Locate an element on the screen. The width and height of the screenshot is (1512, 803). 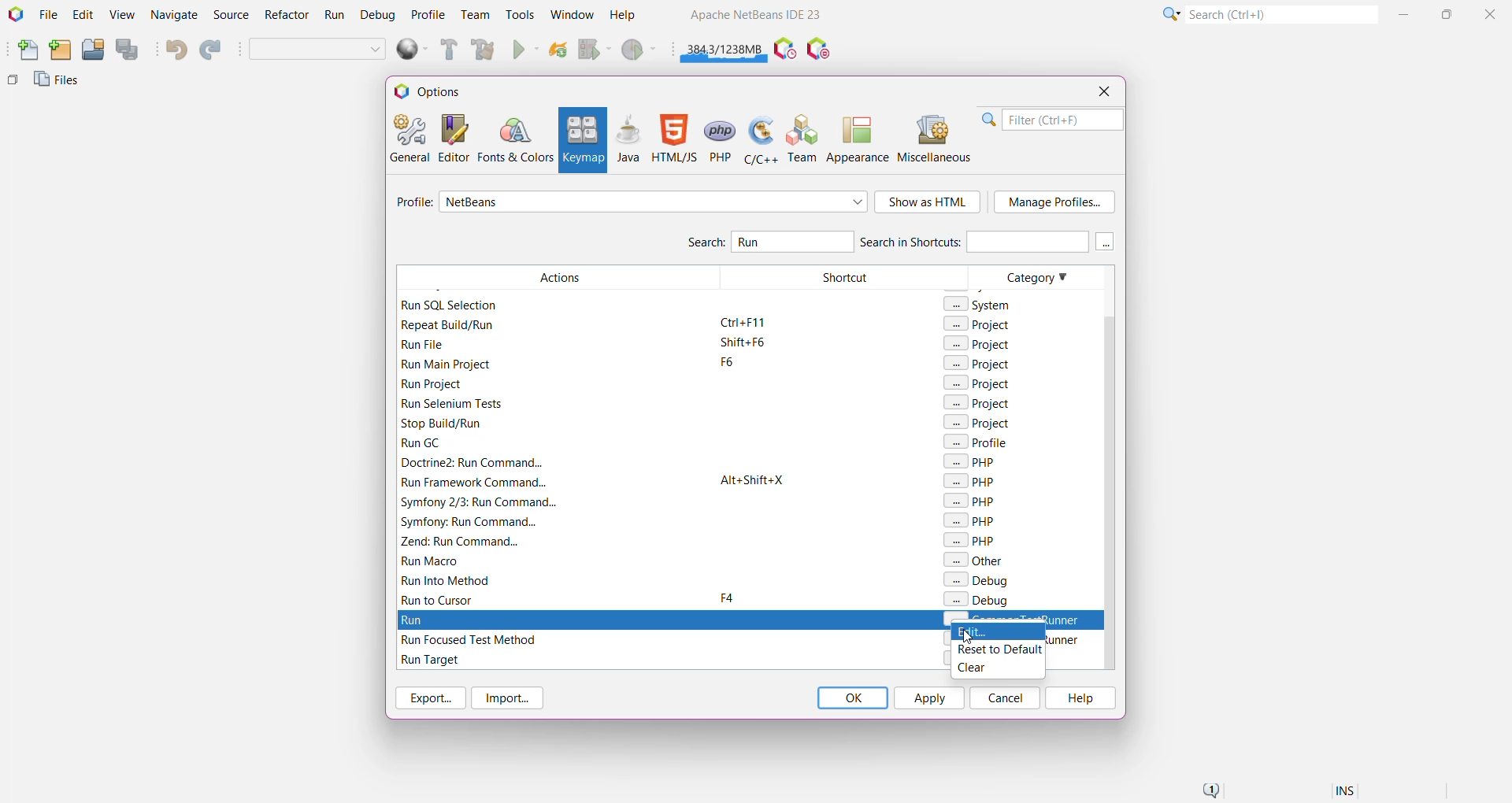
 is located at coordinates (13, 83).